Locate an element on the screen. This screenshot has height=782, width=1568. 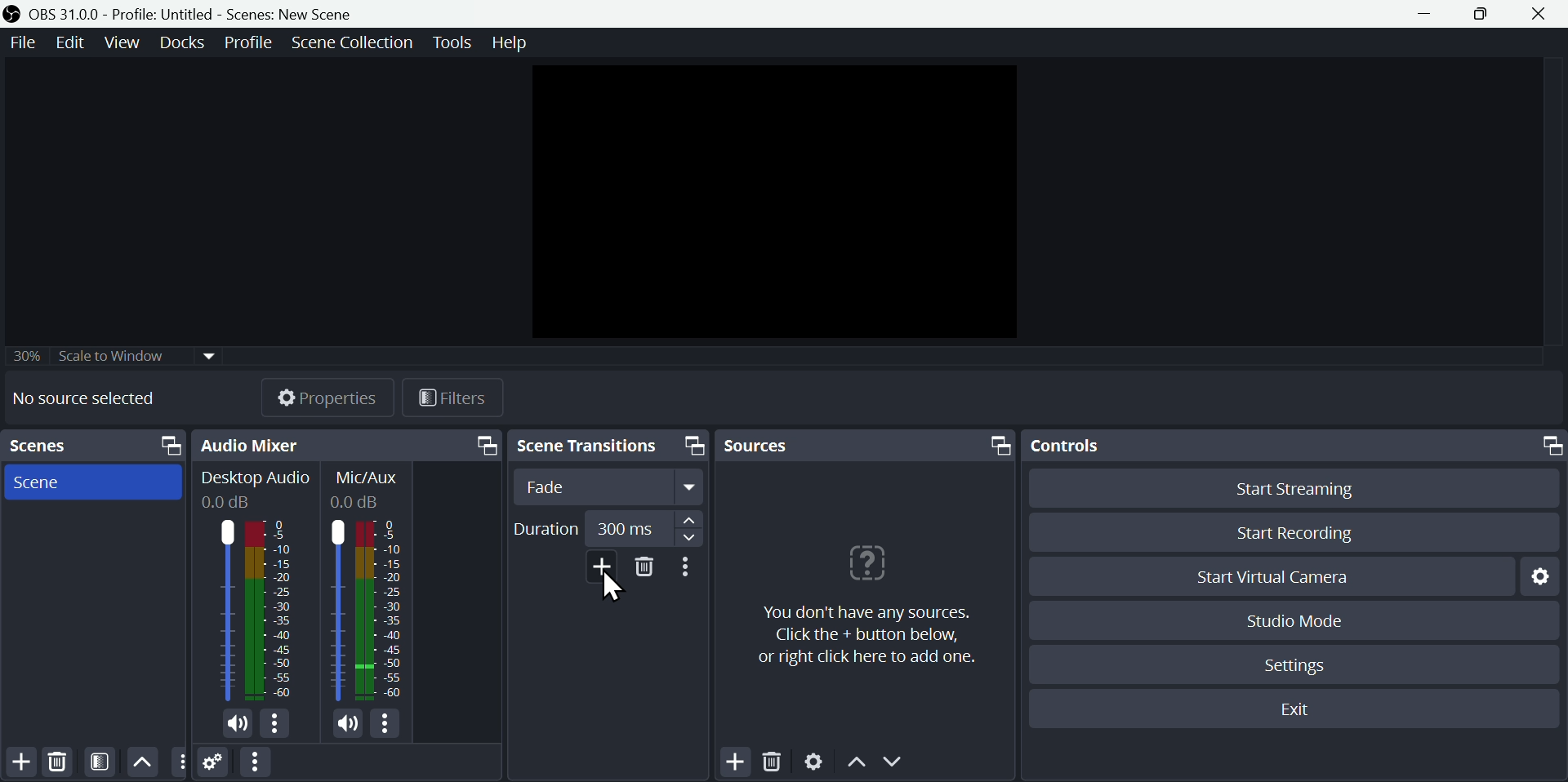
Start streaming is located at coordinates (1288, 487).